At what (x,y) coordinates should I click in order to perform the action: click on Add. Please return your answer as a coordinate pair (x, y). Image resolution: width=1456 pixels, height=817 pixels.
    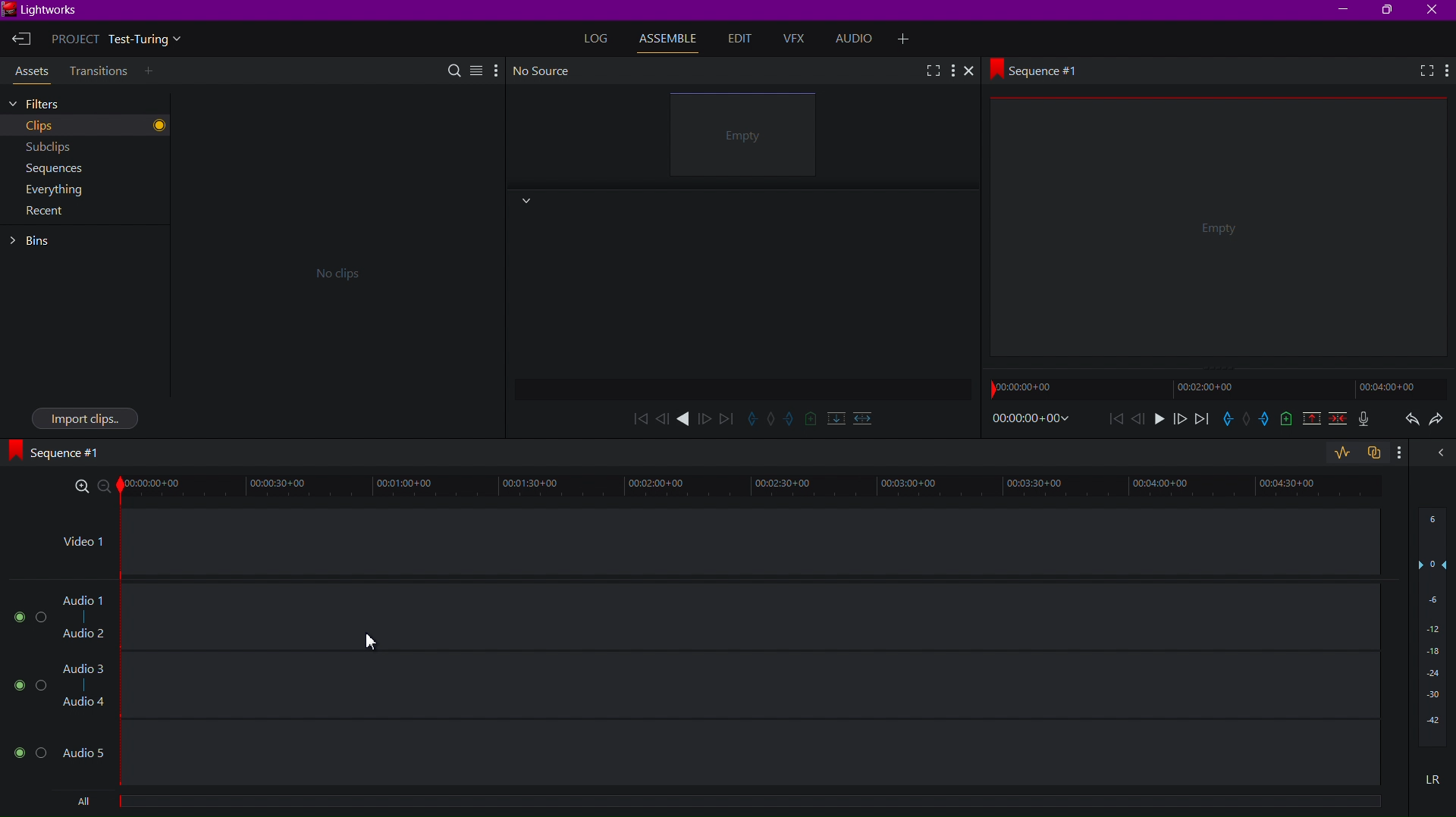
    Looking at the image, I should click on (154, 72).